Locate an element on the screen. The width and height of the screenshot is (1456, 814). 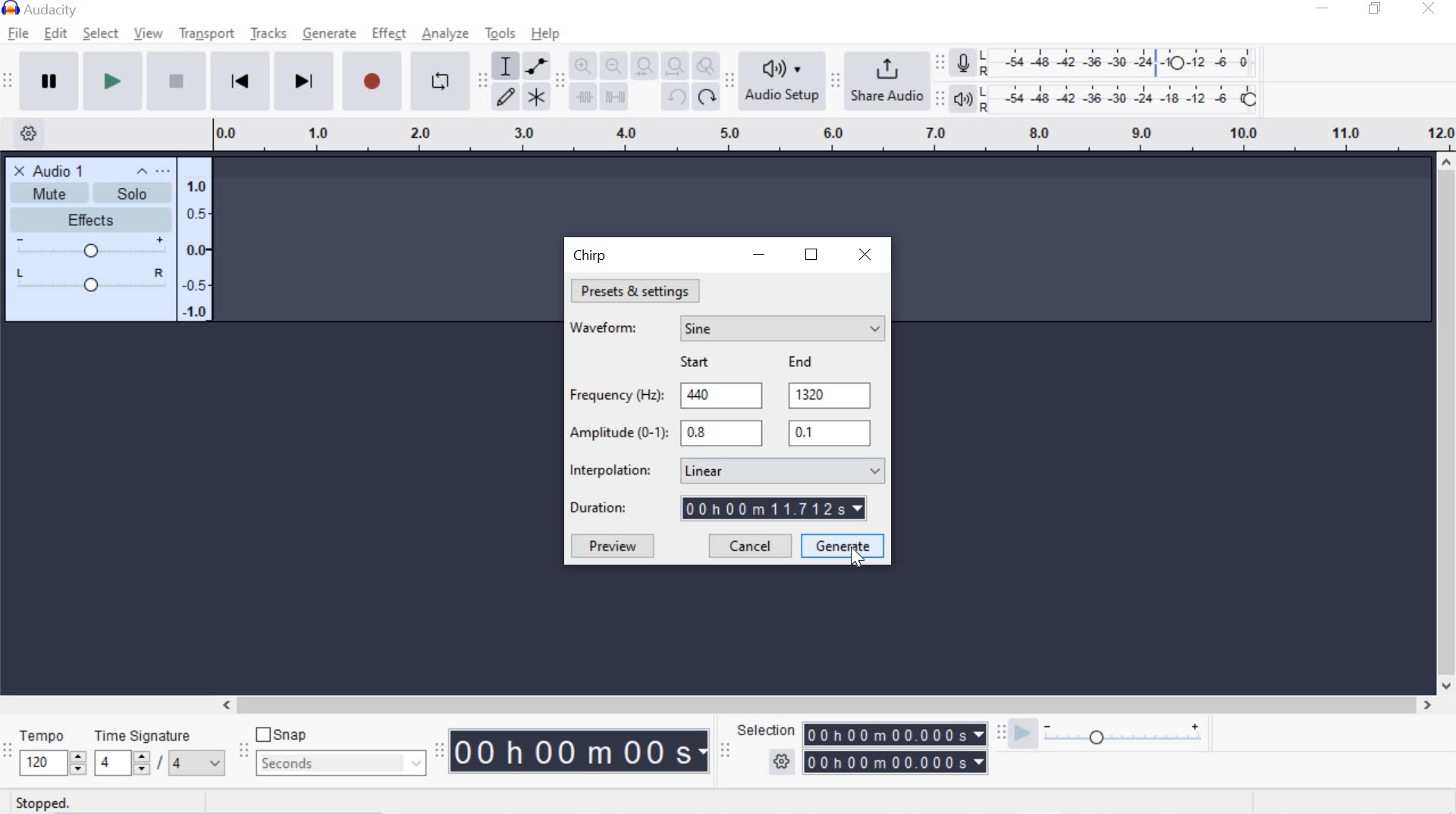
Waveform is located at coordinates (609, 331).